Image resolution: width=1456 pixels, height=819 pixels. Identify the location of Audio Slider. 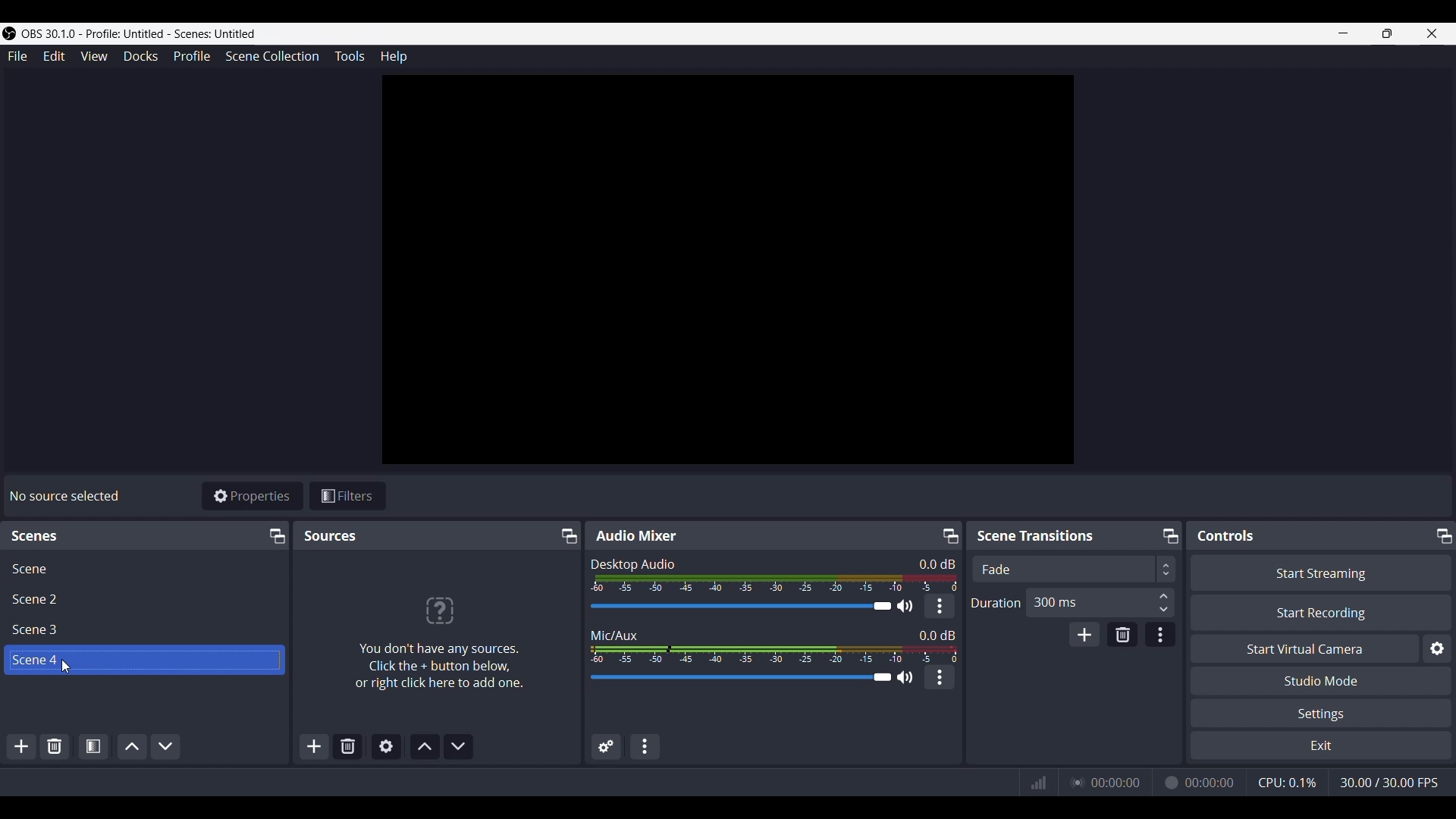
(741, 606).